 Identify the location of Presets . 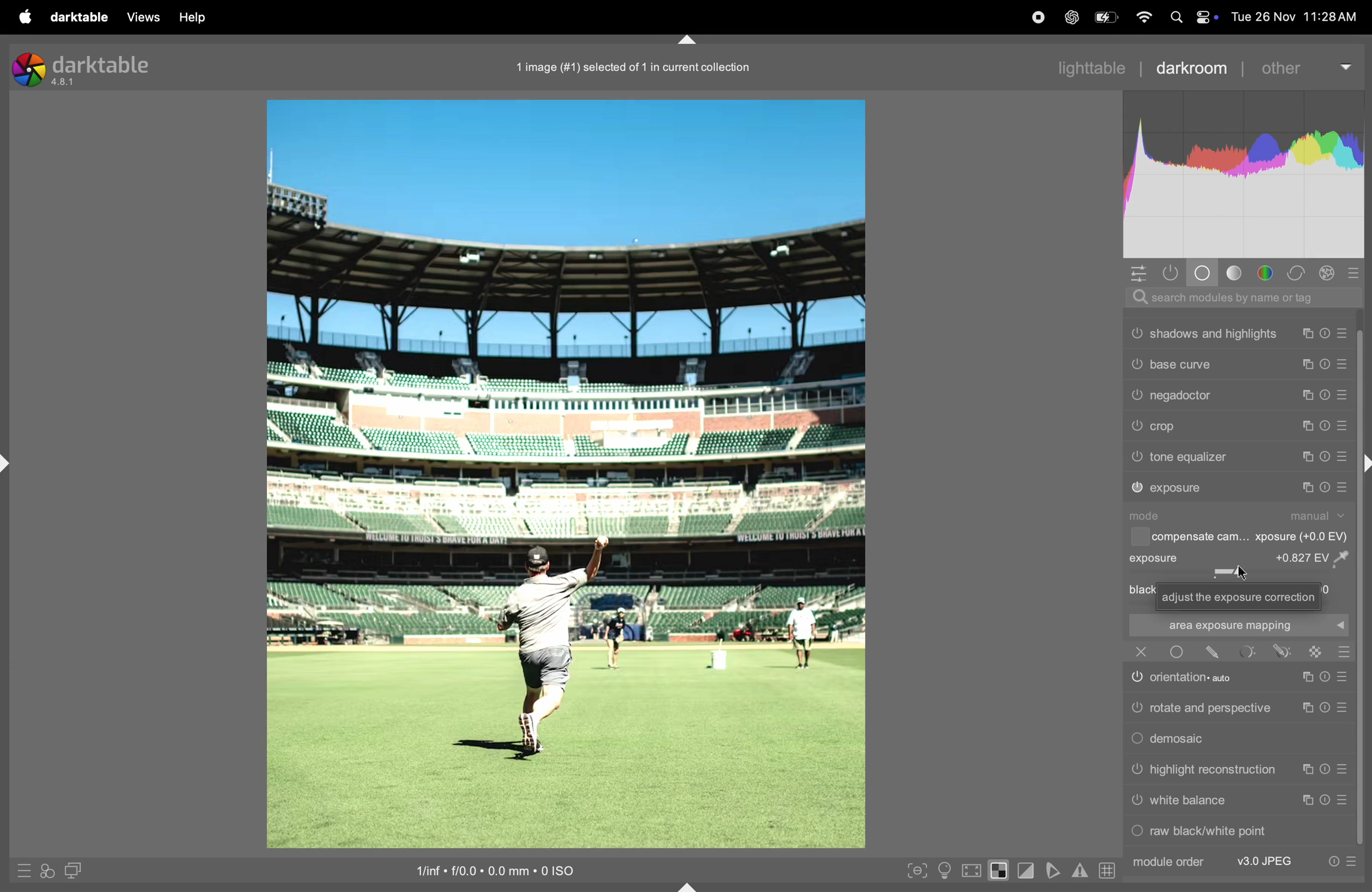
(1342, 366).